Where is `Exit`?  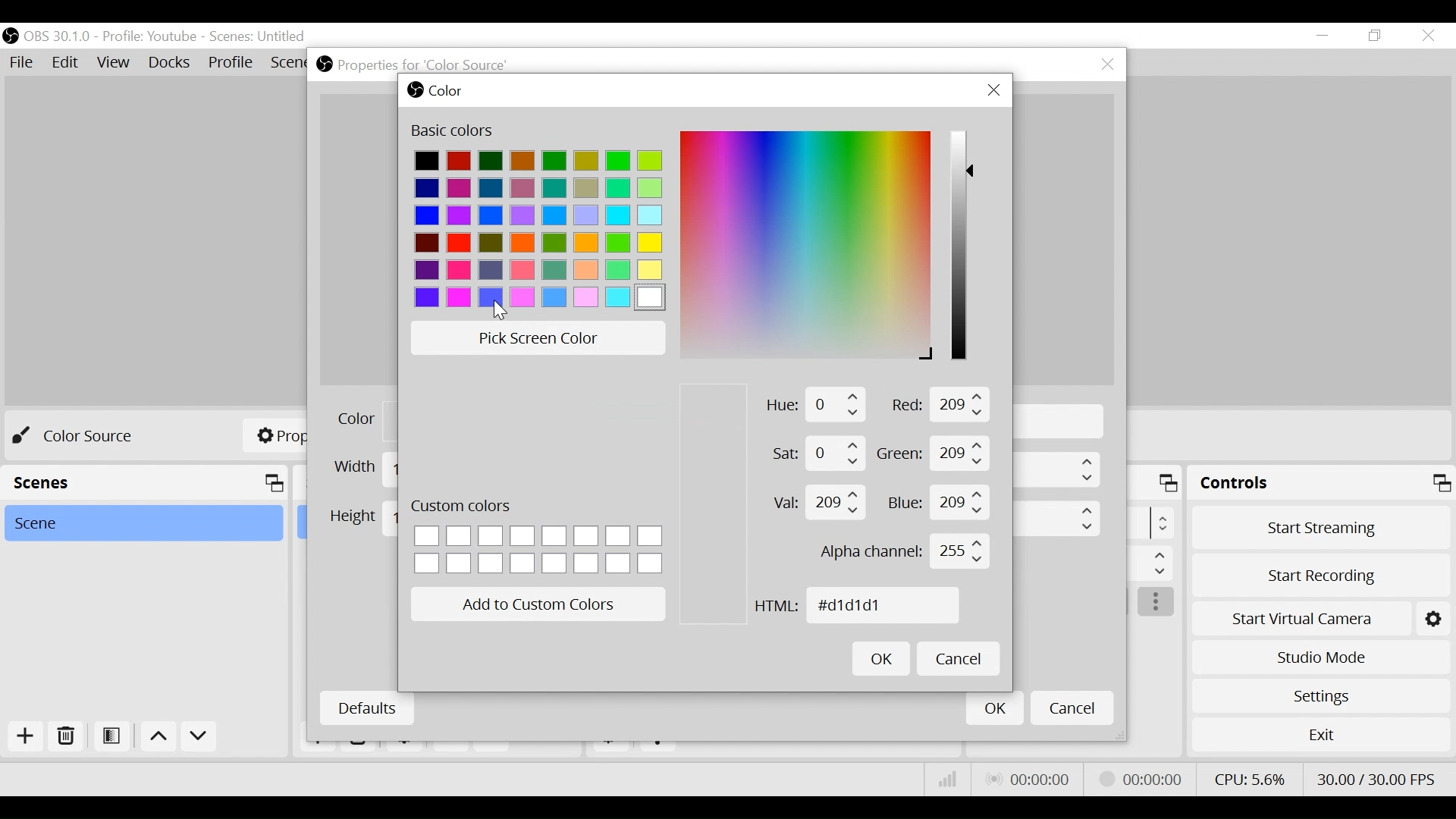
Exit is located at coordinates (1321, 739).